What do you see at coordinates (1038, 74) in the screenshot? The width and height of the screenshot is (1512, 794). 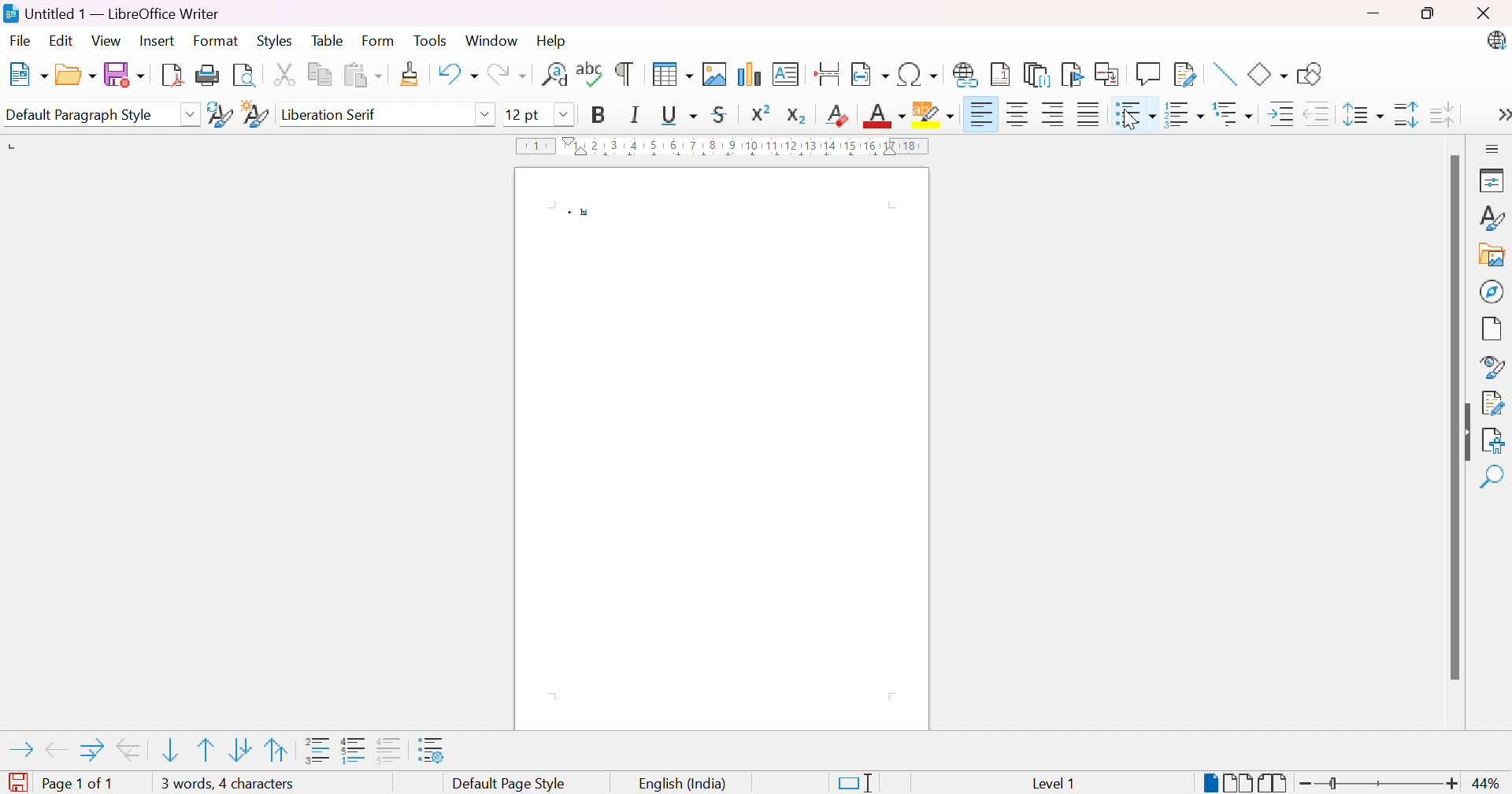 I see `Insert endnote` at bounding box center [1038, 74].